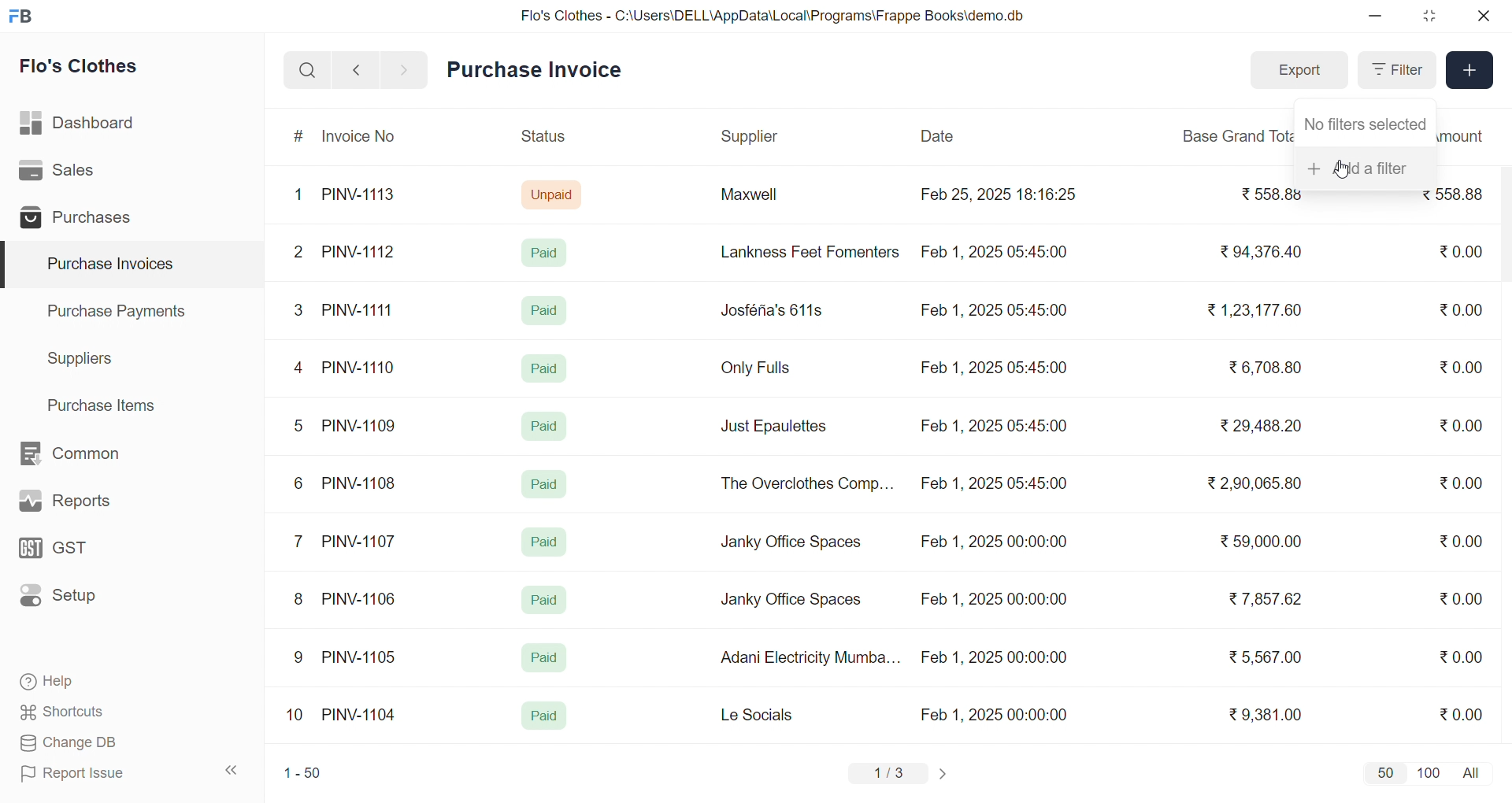 The image size is (1512, 803). I want to click on Flo's Clothes - C:\Users\DELL\AppData\Local\Programs\Frappe Books\demo.db, so click(773, 16).